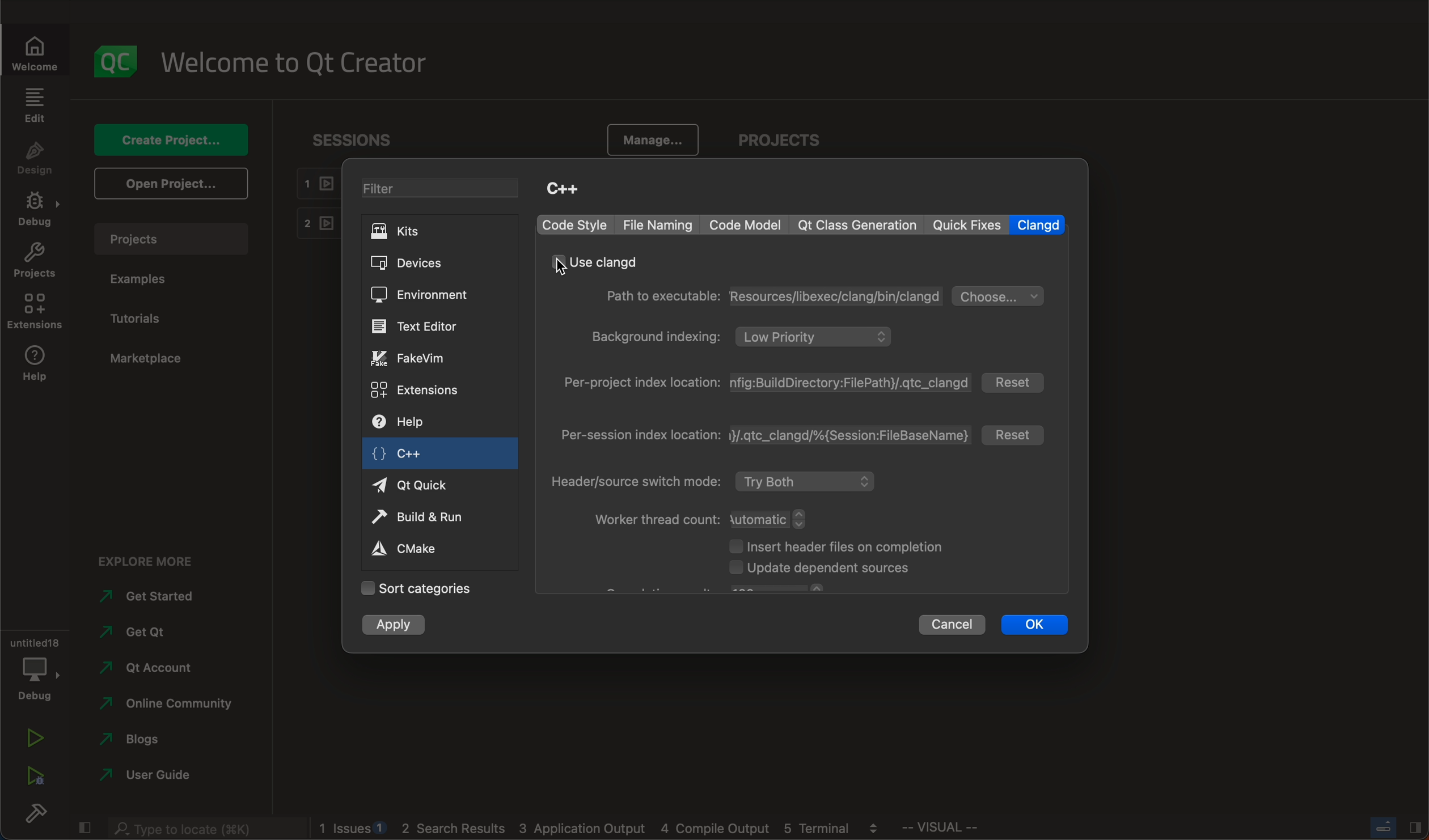  Describe the element at coordinates (1038, 224) in the screenshot. I see `clangd` at that location.